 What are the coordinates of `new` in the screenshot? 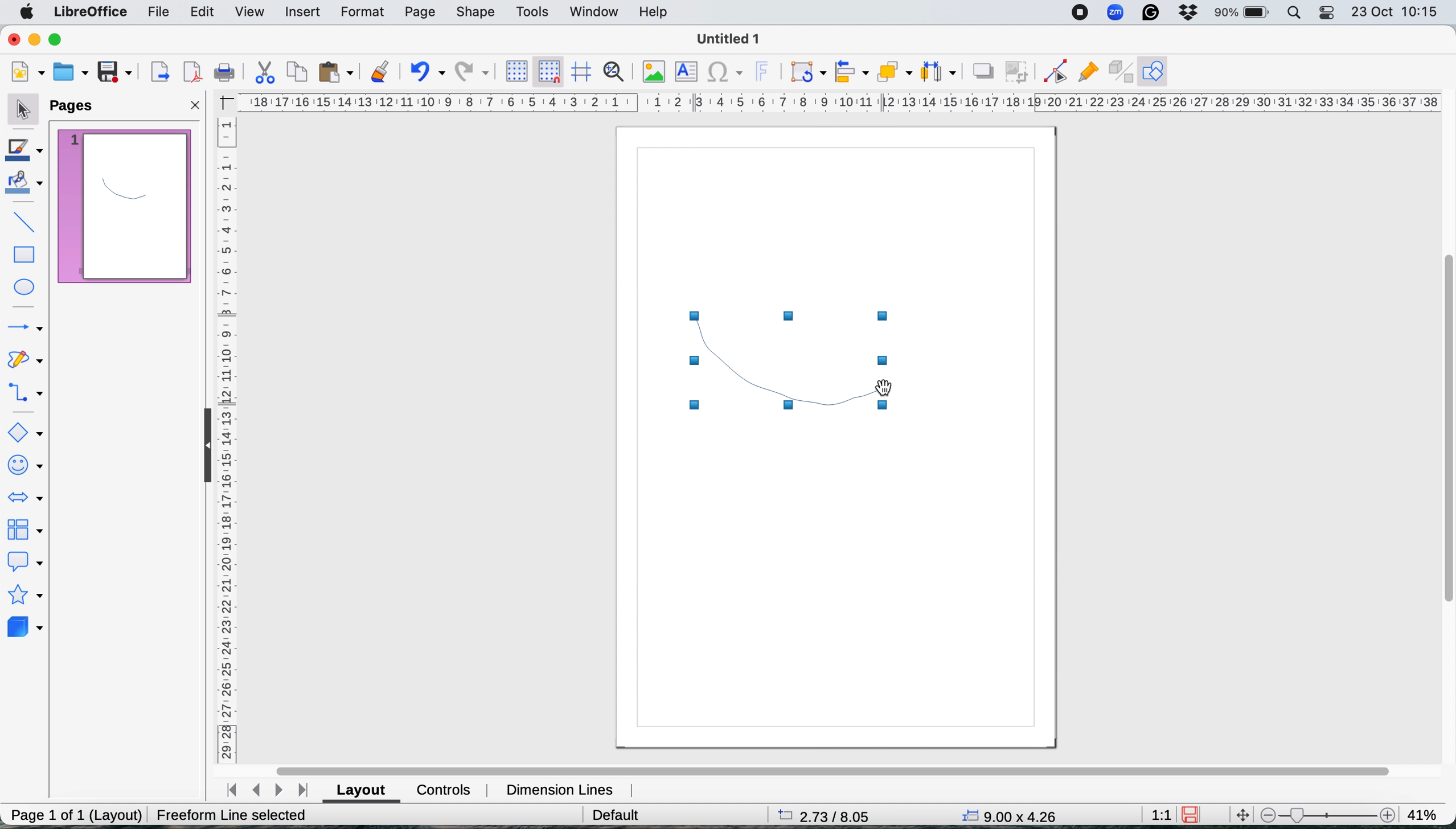 It's located at (27, 71).